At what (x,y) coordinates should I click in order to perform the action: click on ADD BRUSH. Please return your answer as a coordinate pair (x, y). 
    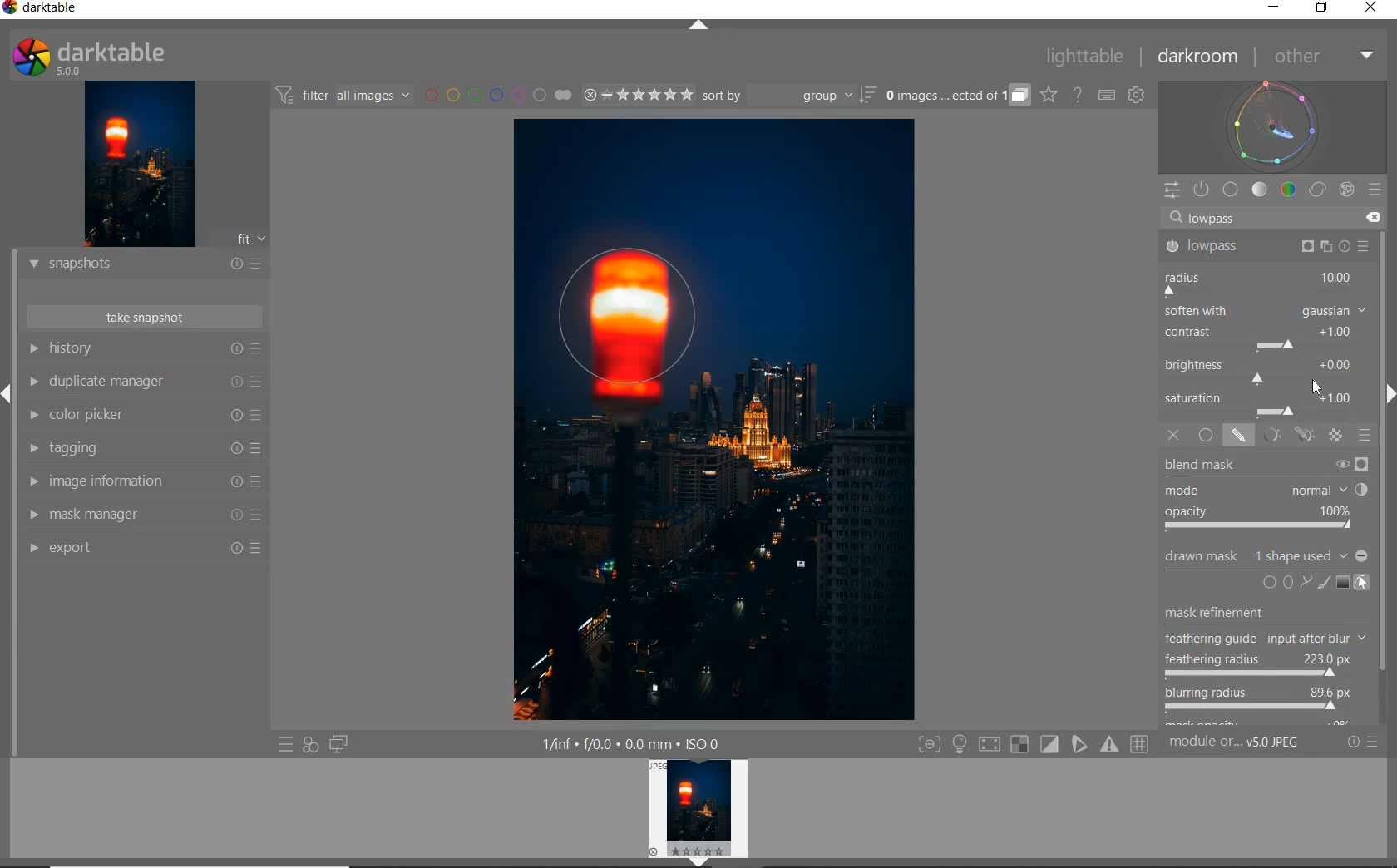
    Looking at the image, I should click on (1322, 582).